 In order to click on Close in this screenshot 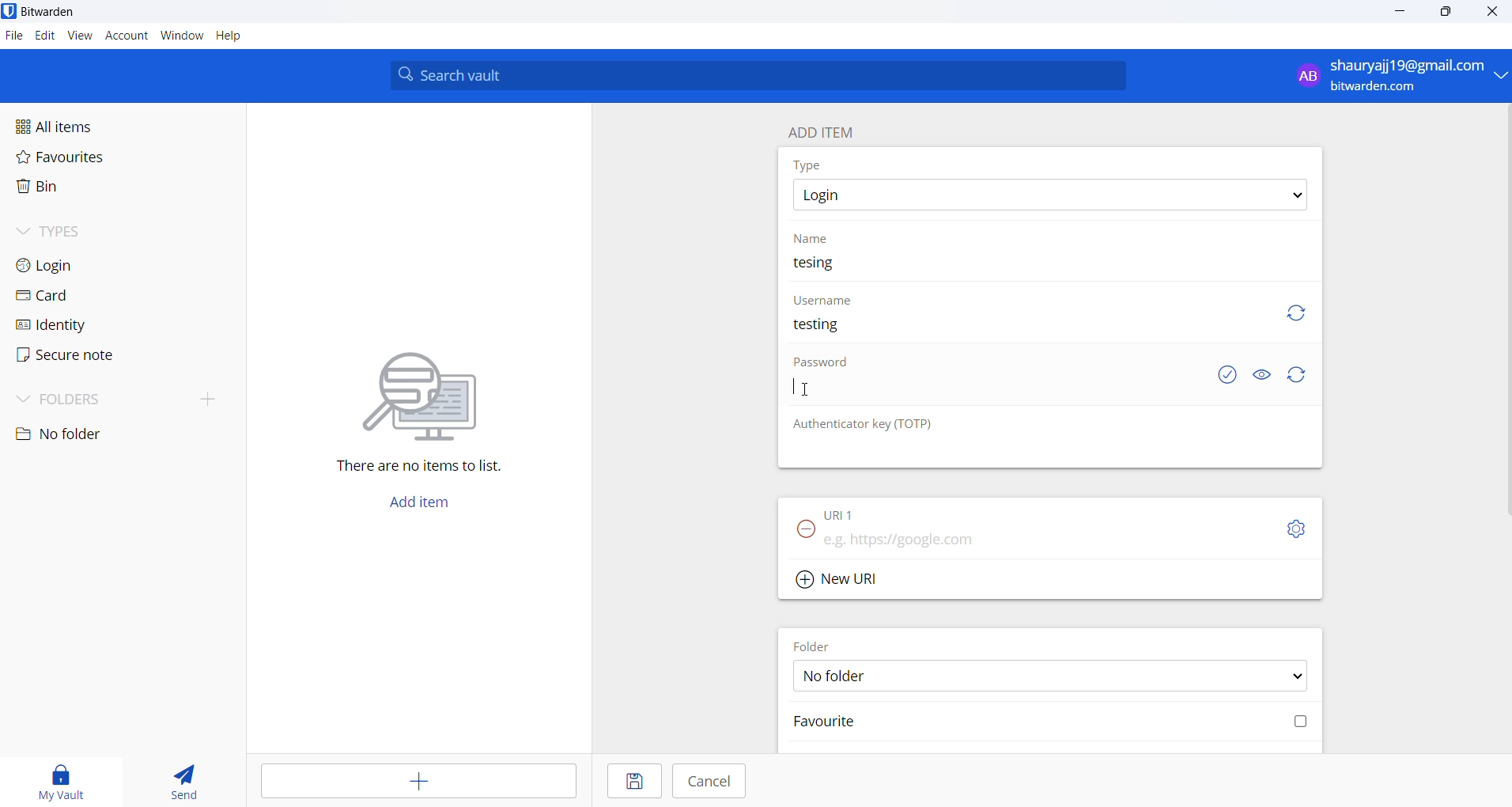, I will do `click(1494, 14)`.